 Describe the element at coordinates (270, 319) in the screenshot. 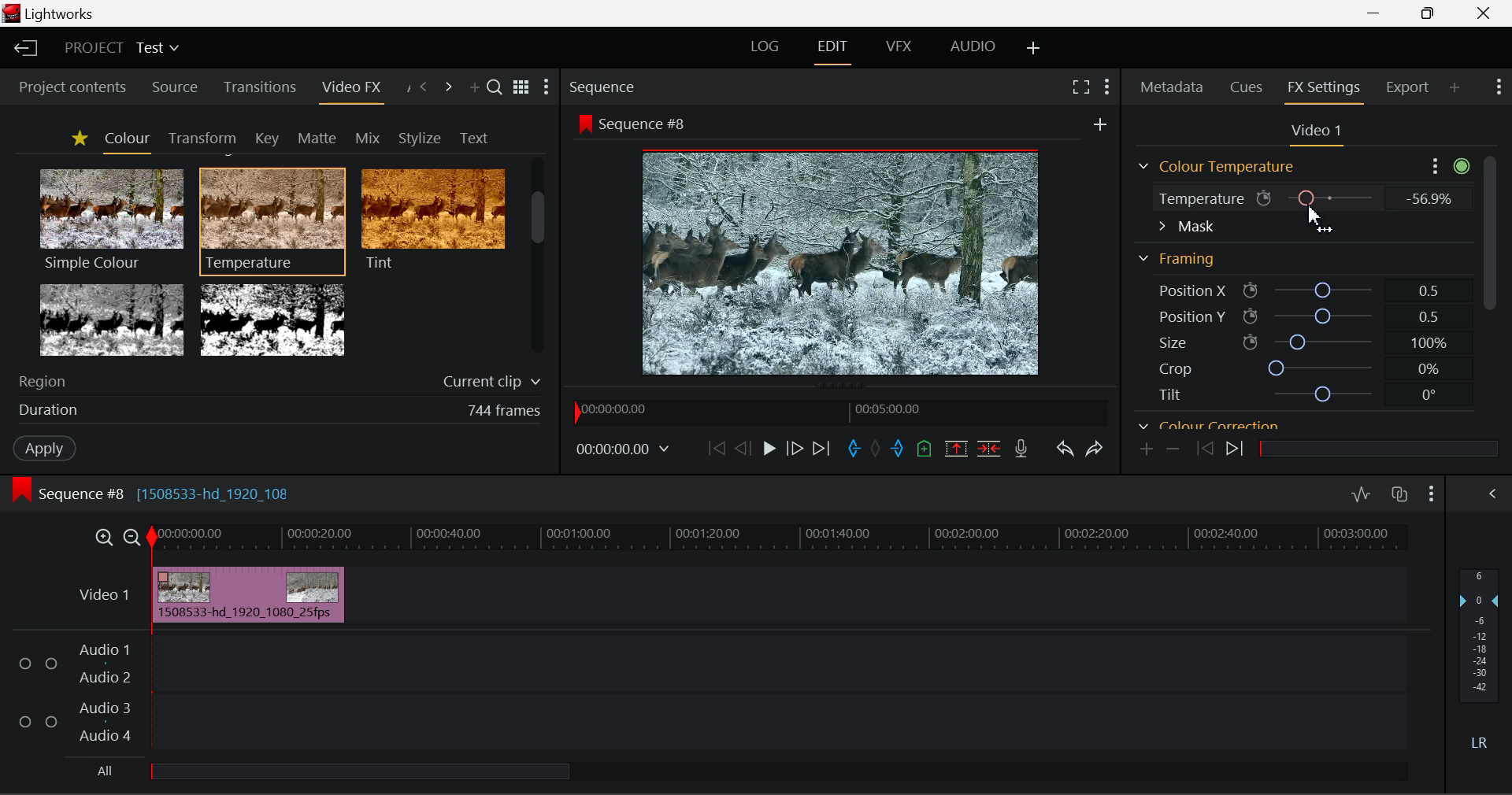

I see `Two Tone` at that location.